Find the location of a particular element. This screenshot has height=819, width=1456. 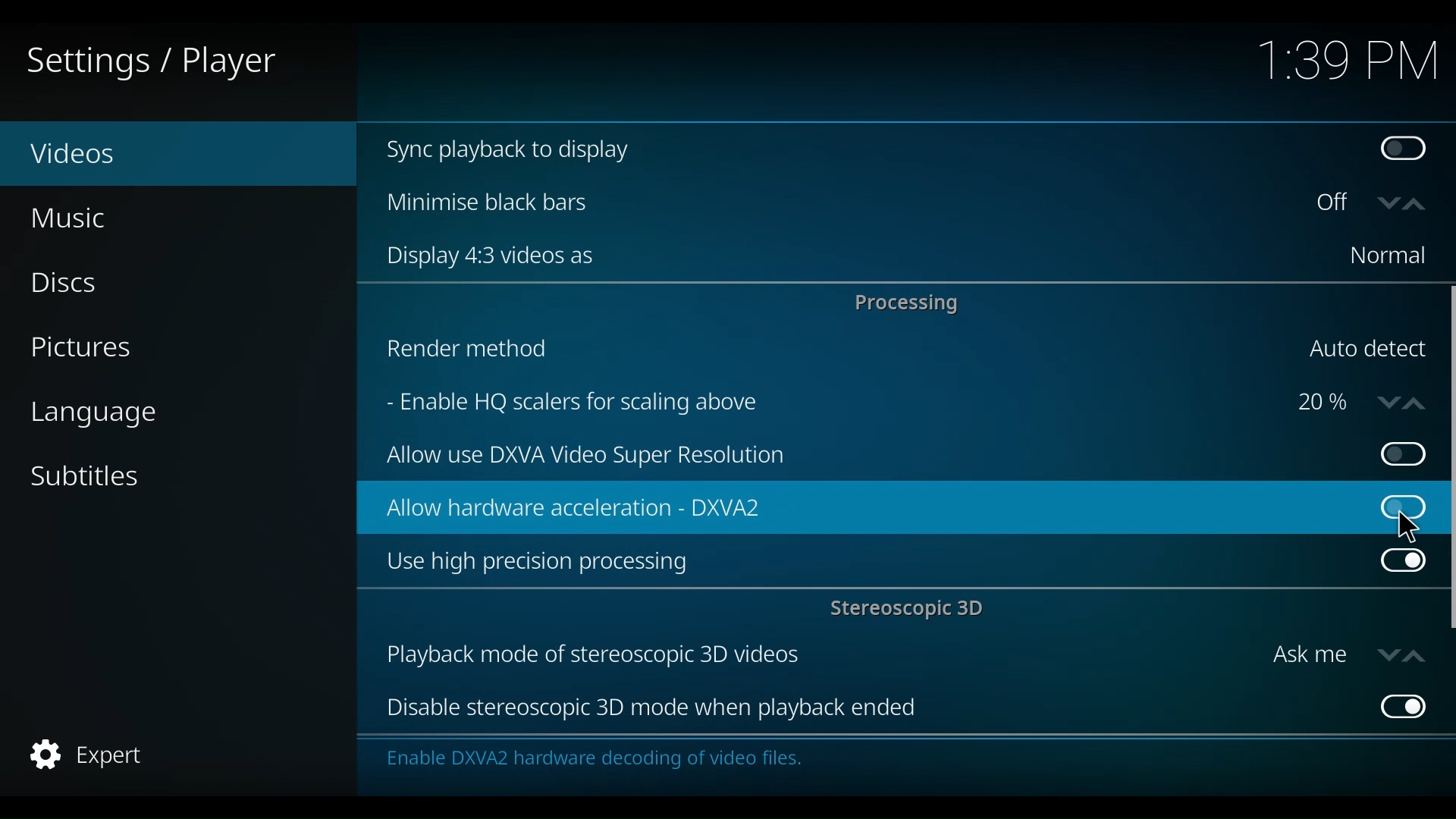

Display 4:3 videos as is located at coordinates (844, 256).